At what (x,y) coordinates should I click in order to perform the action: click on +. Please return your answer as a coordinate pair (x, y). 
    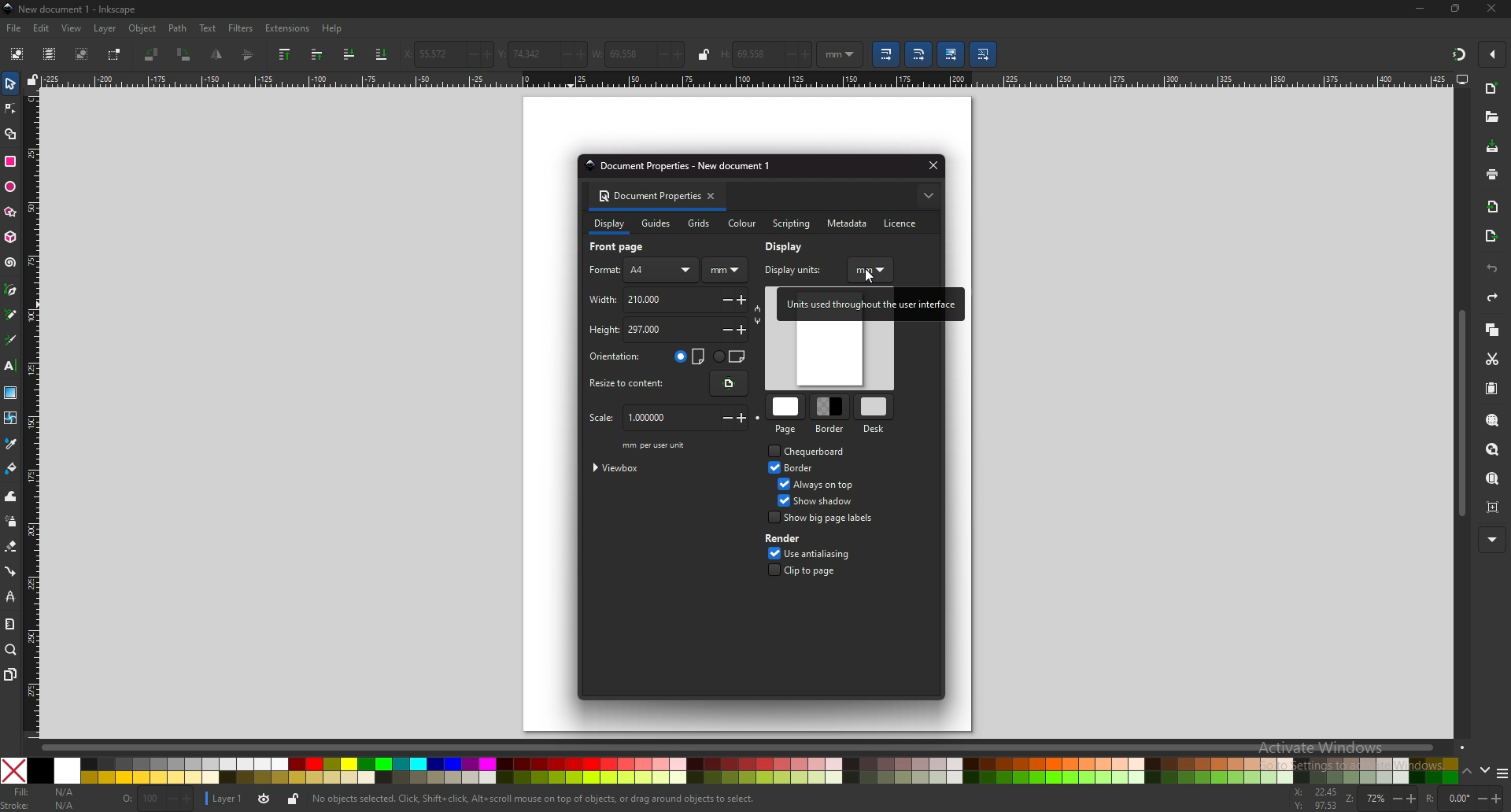
    Looking at the image, I should click on (1500, 798).